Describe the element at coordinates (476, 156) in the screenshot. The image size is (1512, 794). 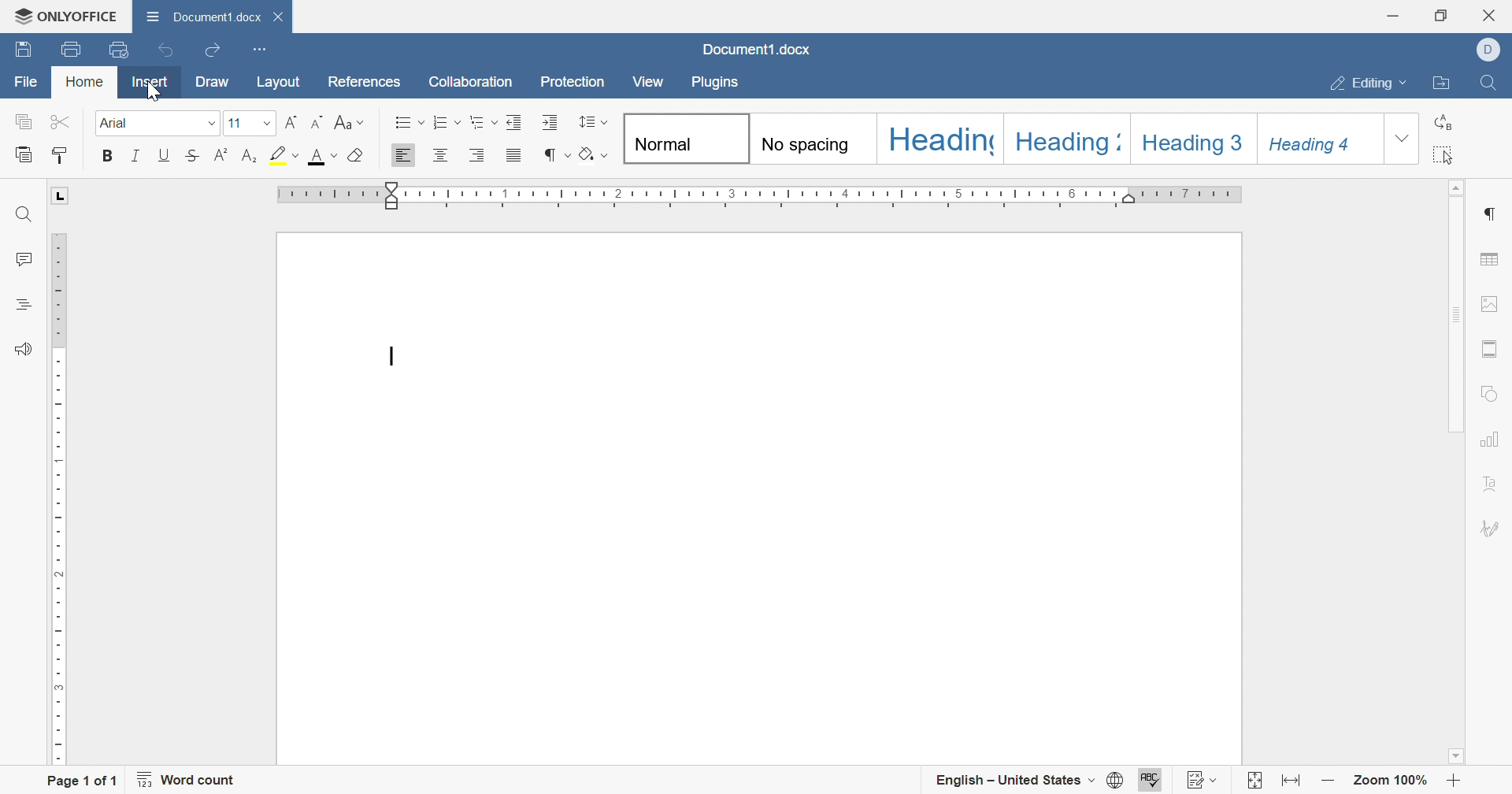
I see `Align left` at that location.